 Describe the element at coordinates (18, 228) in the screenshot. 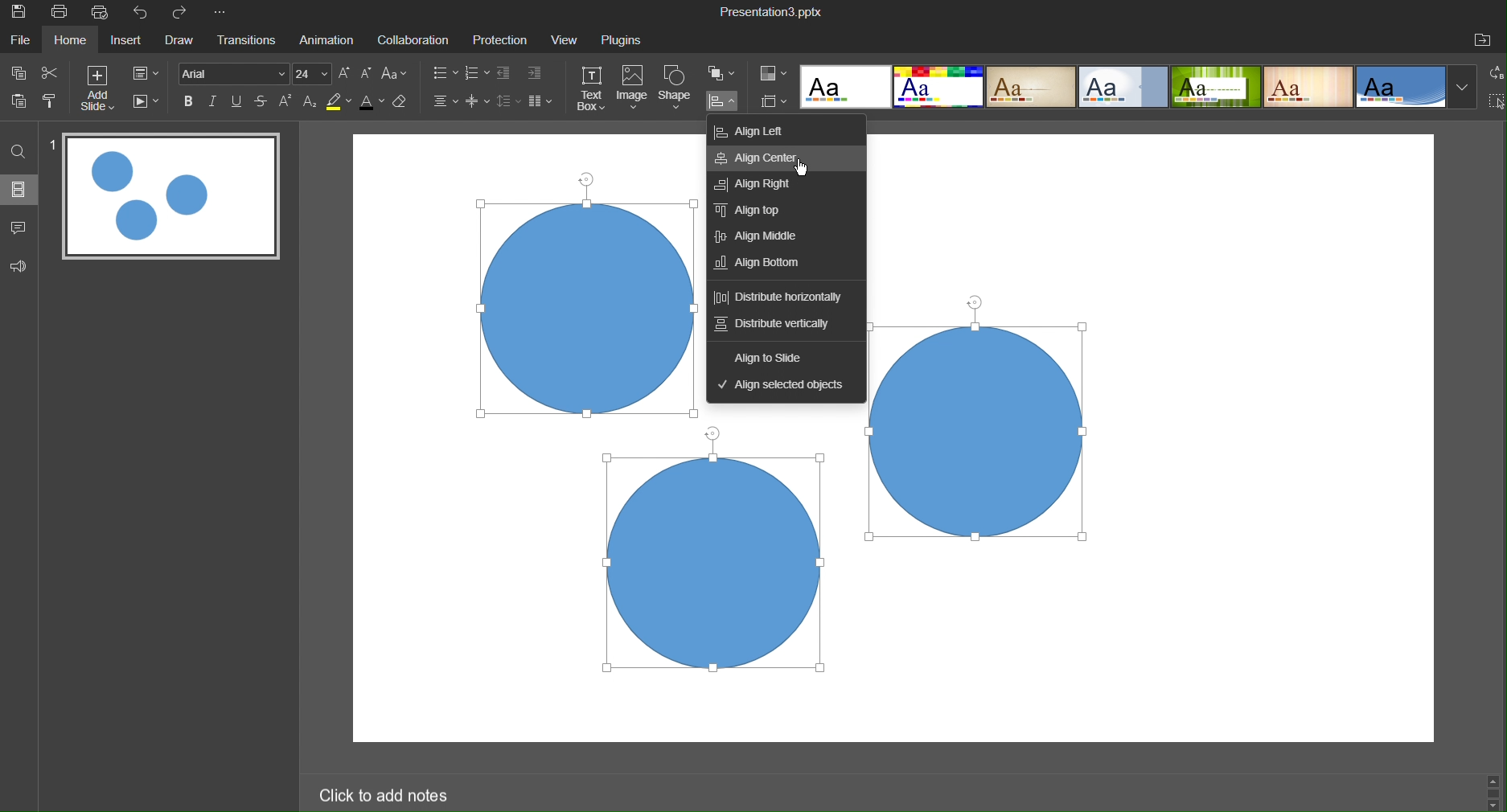

I see `Comment` at that location.